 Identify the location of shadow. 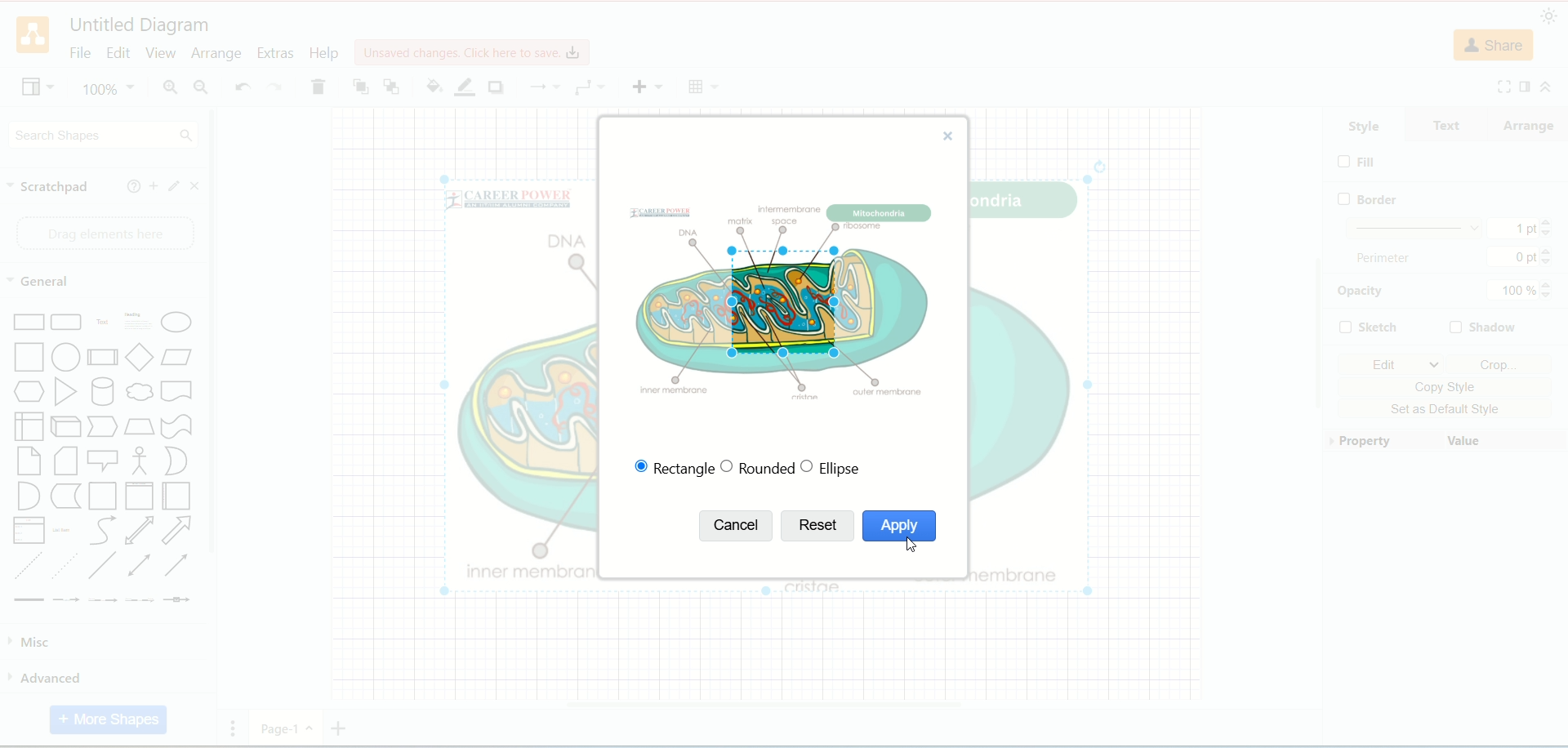
(1483, 328).